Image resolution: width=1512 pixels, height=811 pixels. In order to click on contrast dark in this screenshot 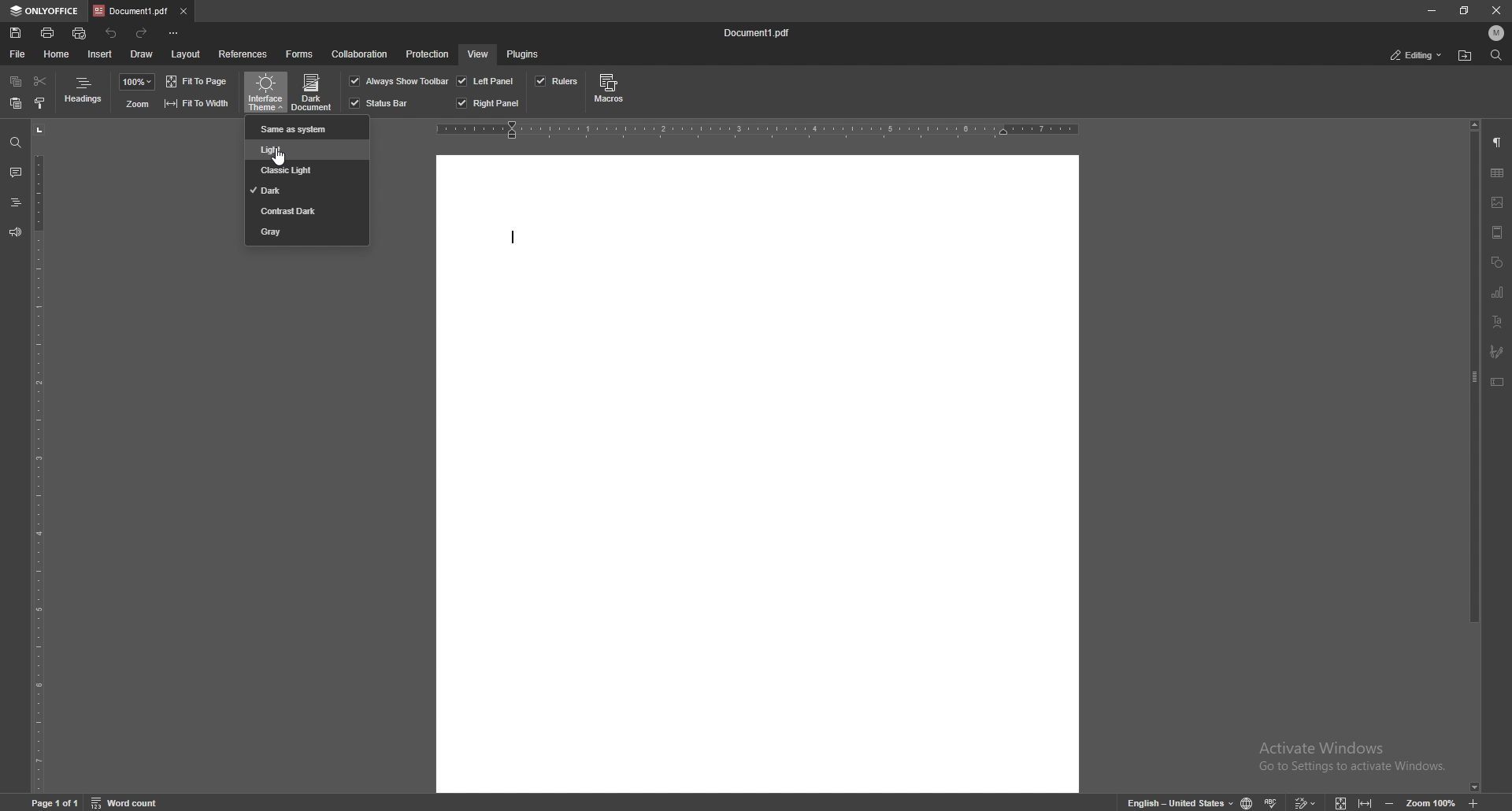, I will do `click(302, 211)`.